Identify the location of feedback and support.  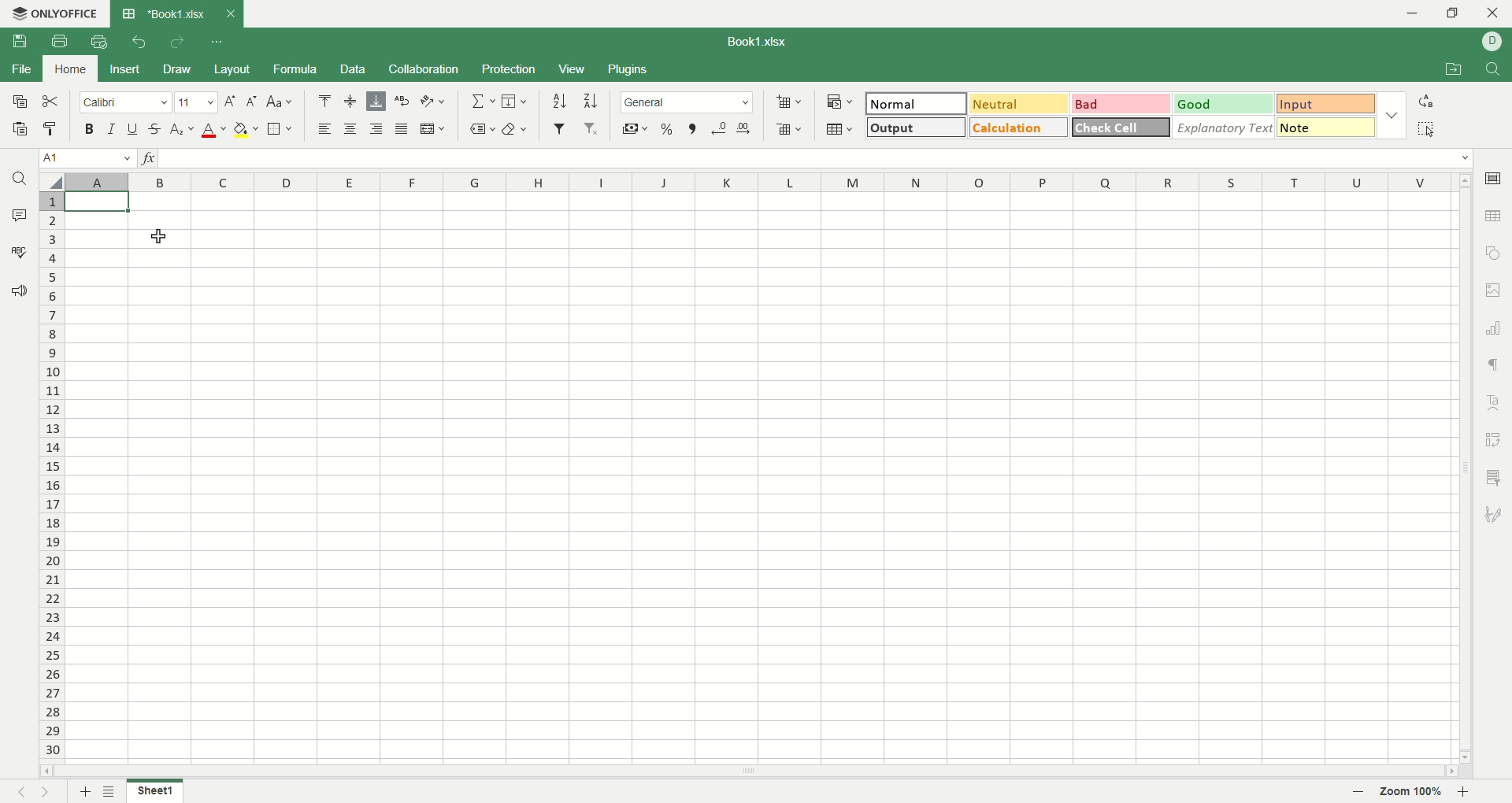
(18, 292).